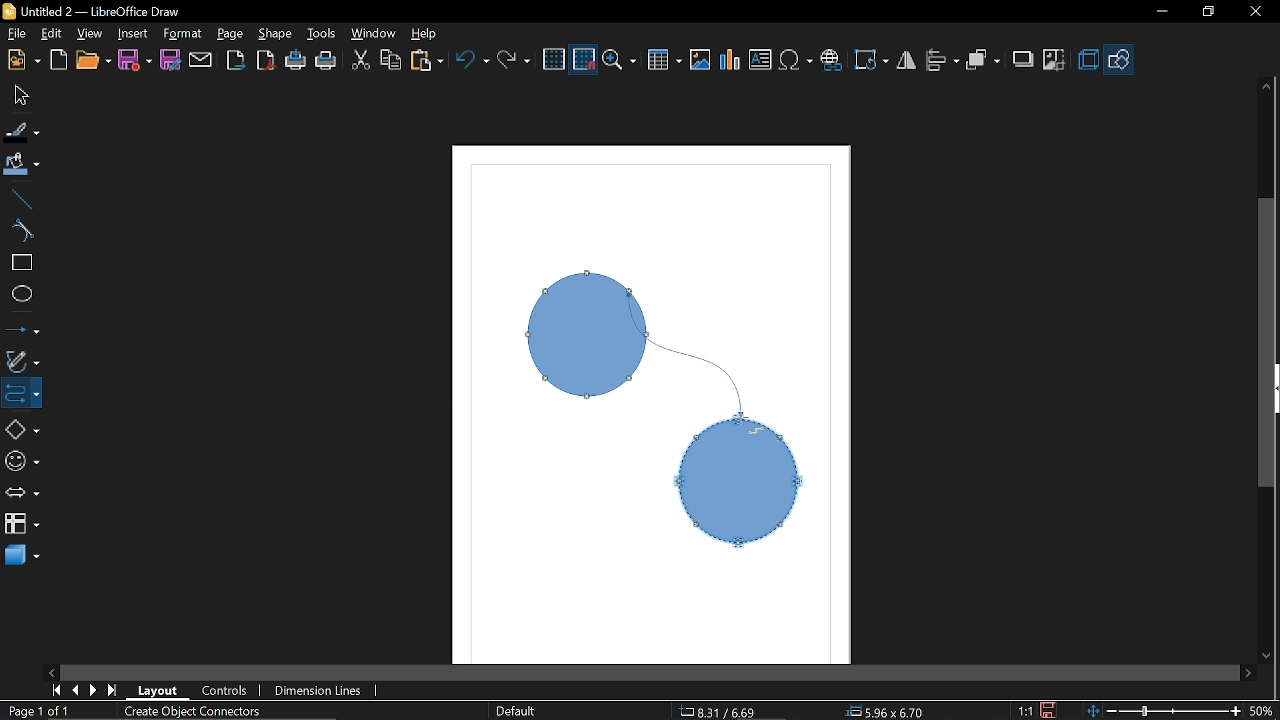  I want to click on COnnector, so click(21, 393).